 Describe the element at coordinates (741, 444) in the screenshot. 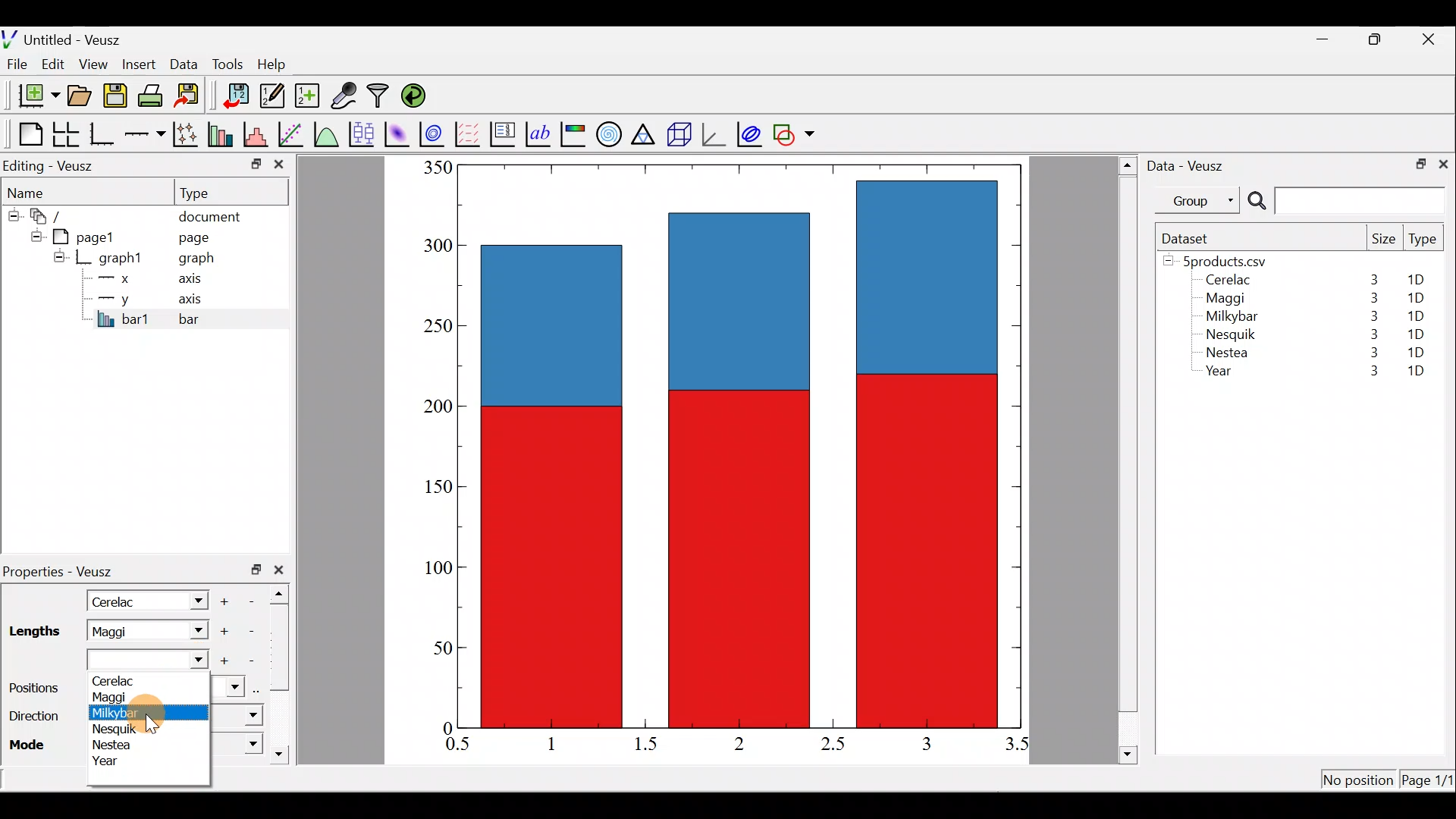

I see `bar chart inserted` at that location.